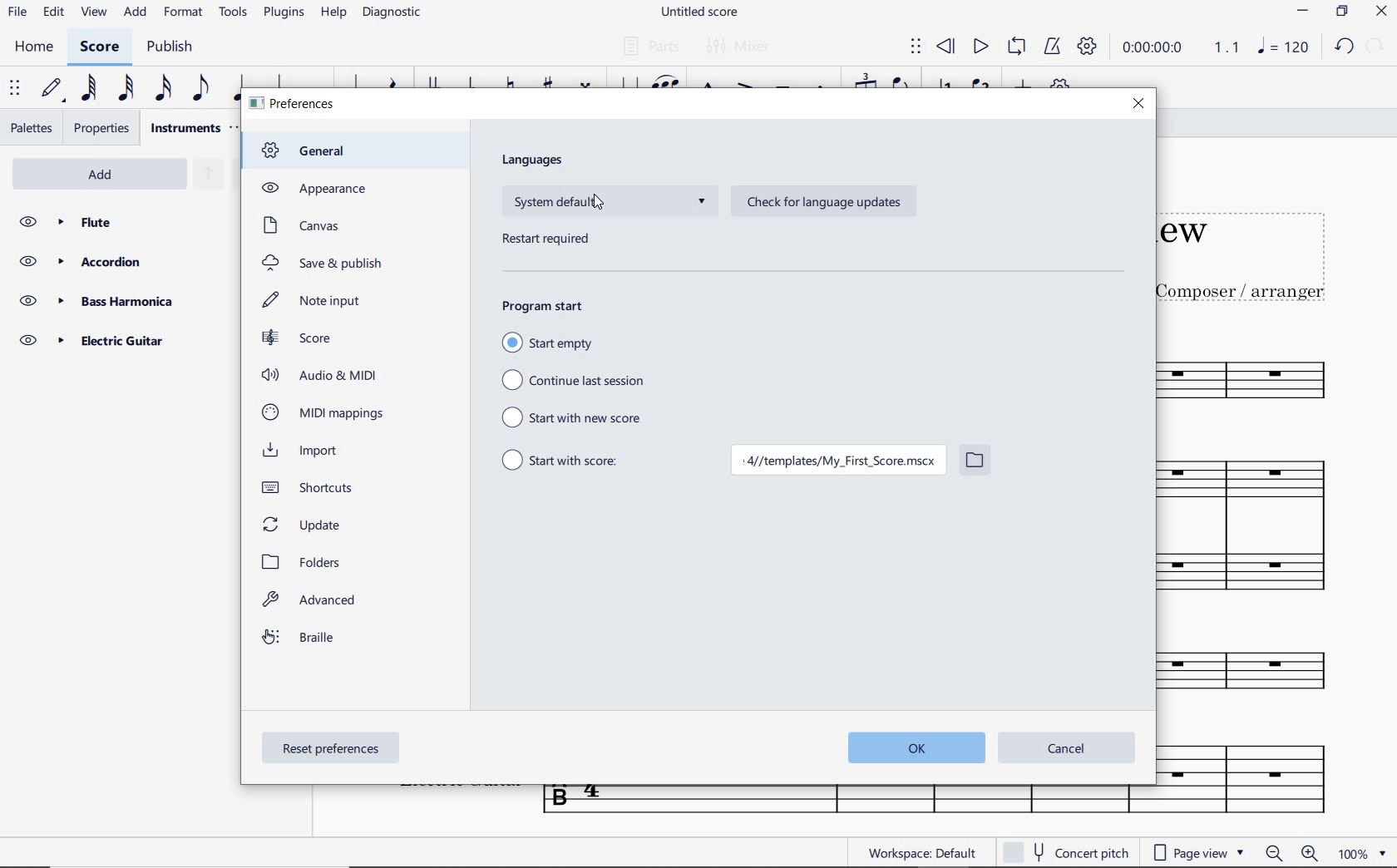 This screenshot has height=868, width=1397. I want to click on Instrument: Accordion, so click(1264, 534).